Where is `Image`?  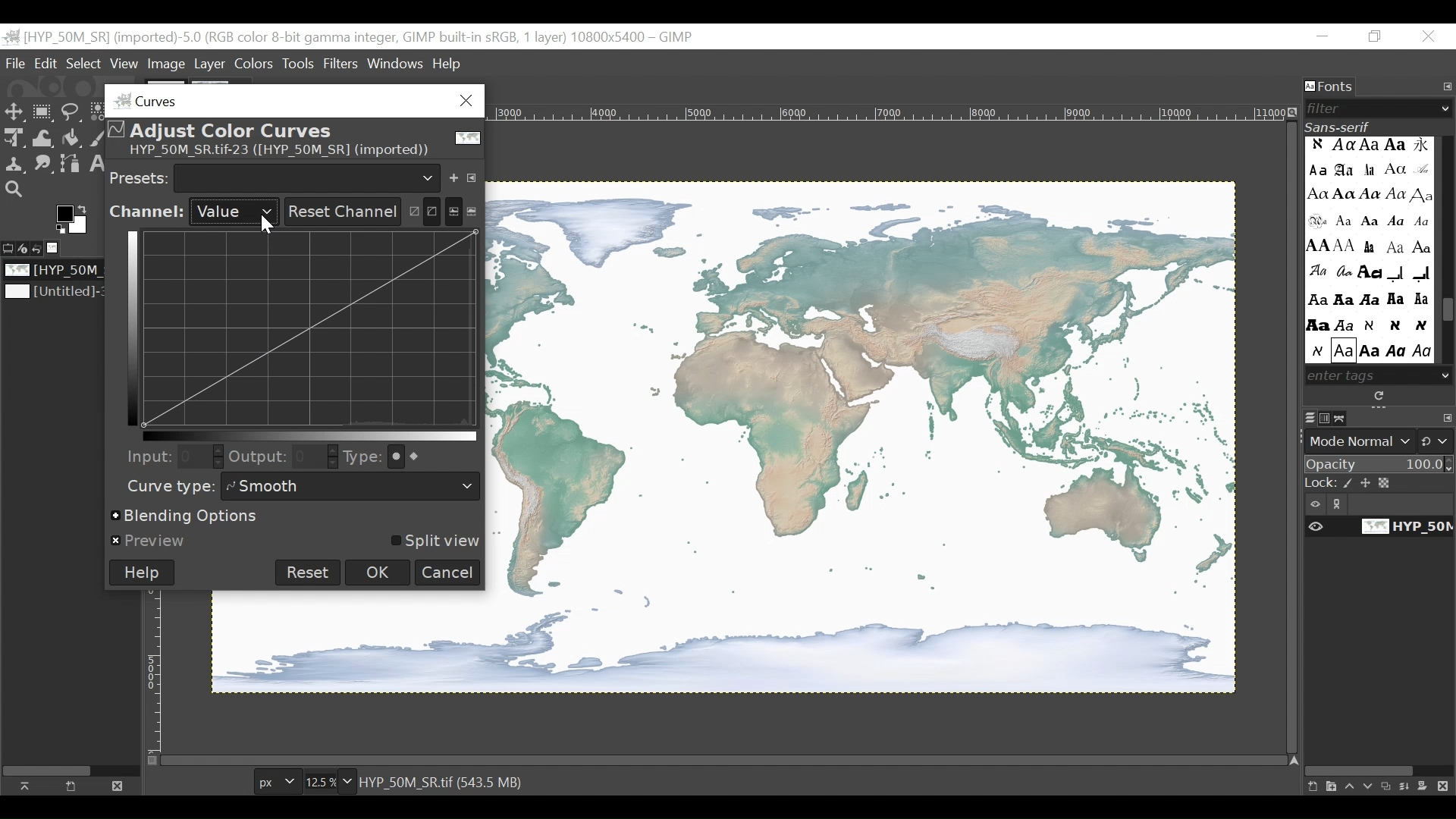 Image is located at coordinates (55, 293).